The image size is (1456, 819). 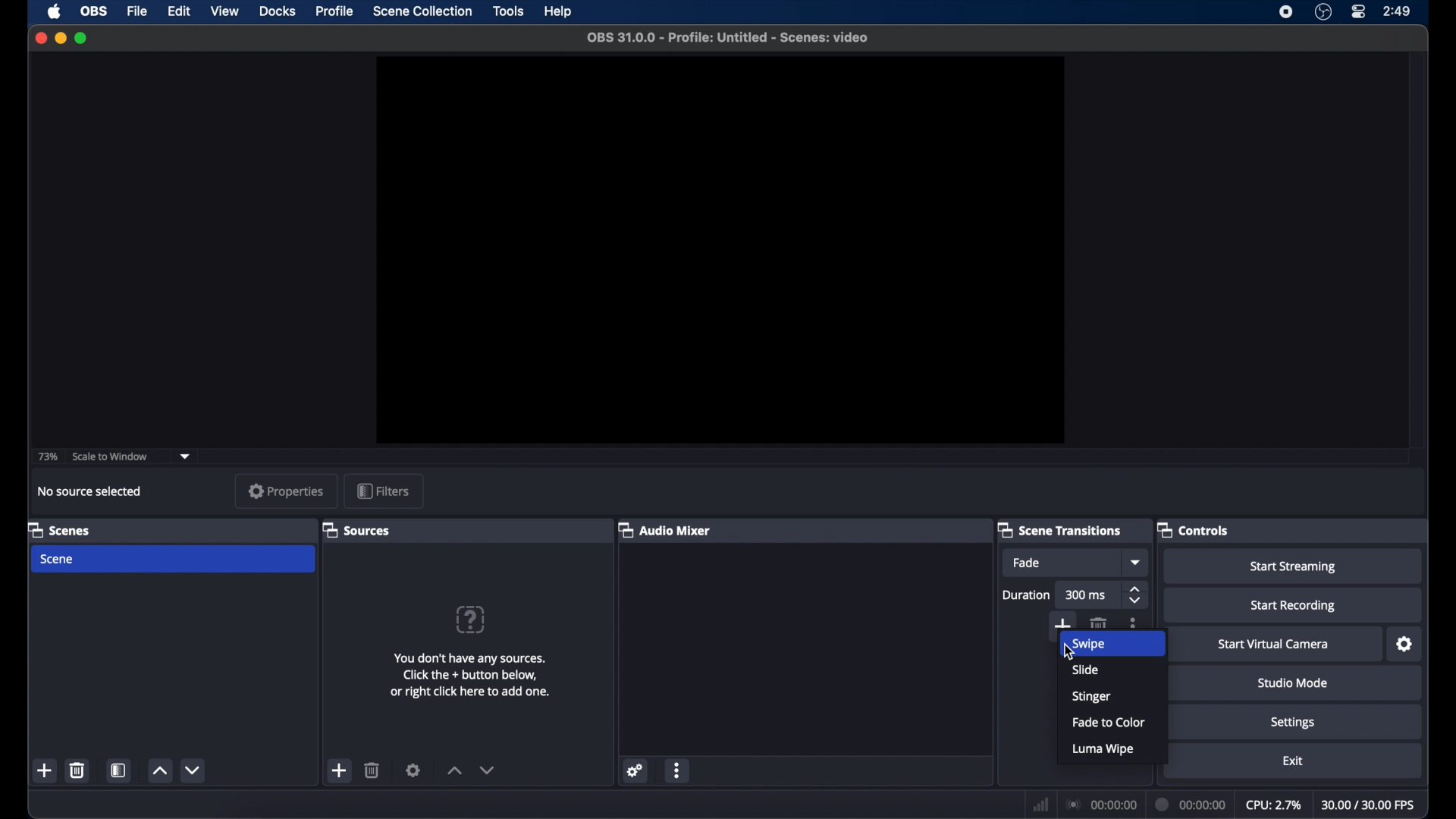 I want to click on 73%, so click(x=47, y=457).